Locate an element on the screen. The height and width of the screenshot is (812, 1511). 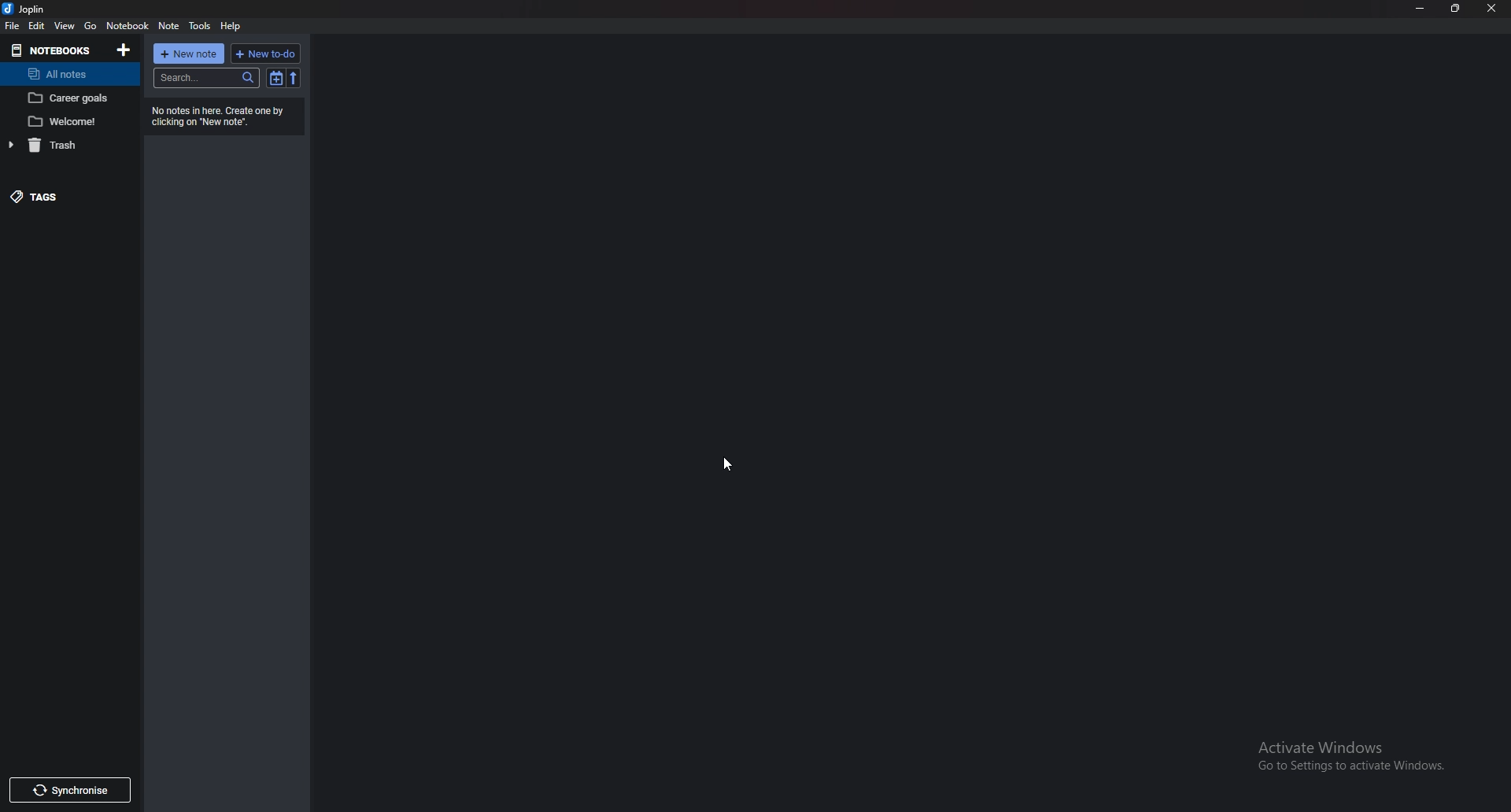
reverse sort order is located at coordinates (294, 78).